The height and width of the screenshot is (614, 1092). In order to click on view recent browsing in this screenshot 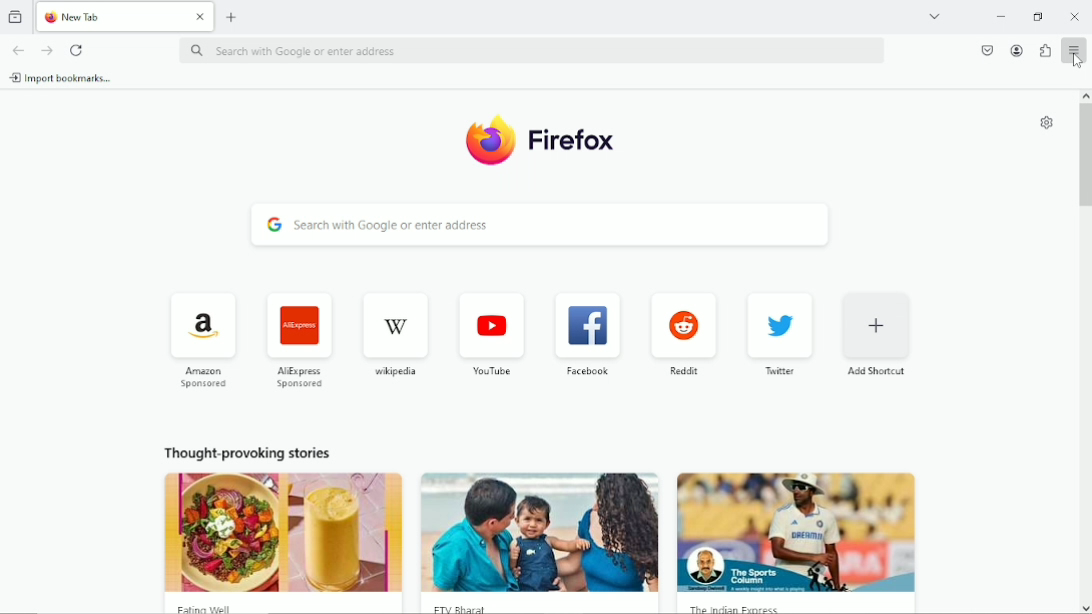, I will do `click(16, 16)`.